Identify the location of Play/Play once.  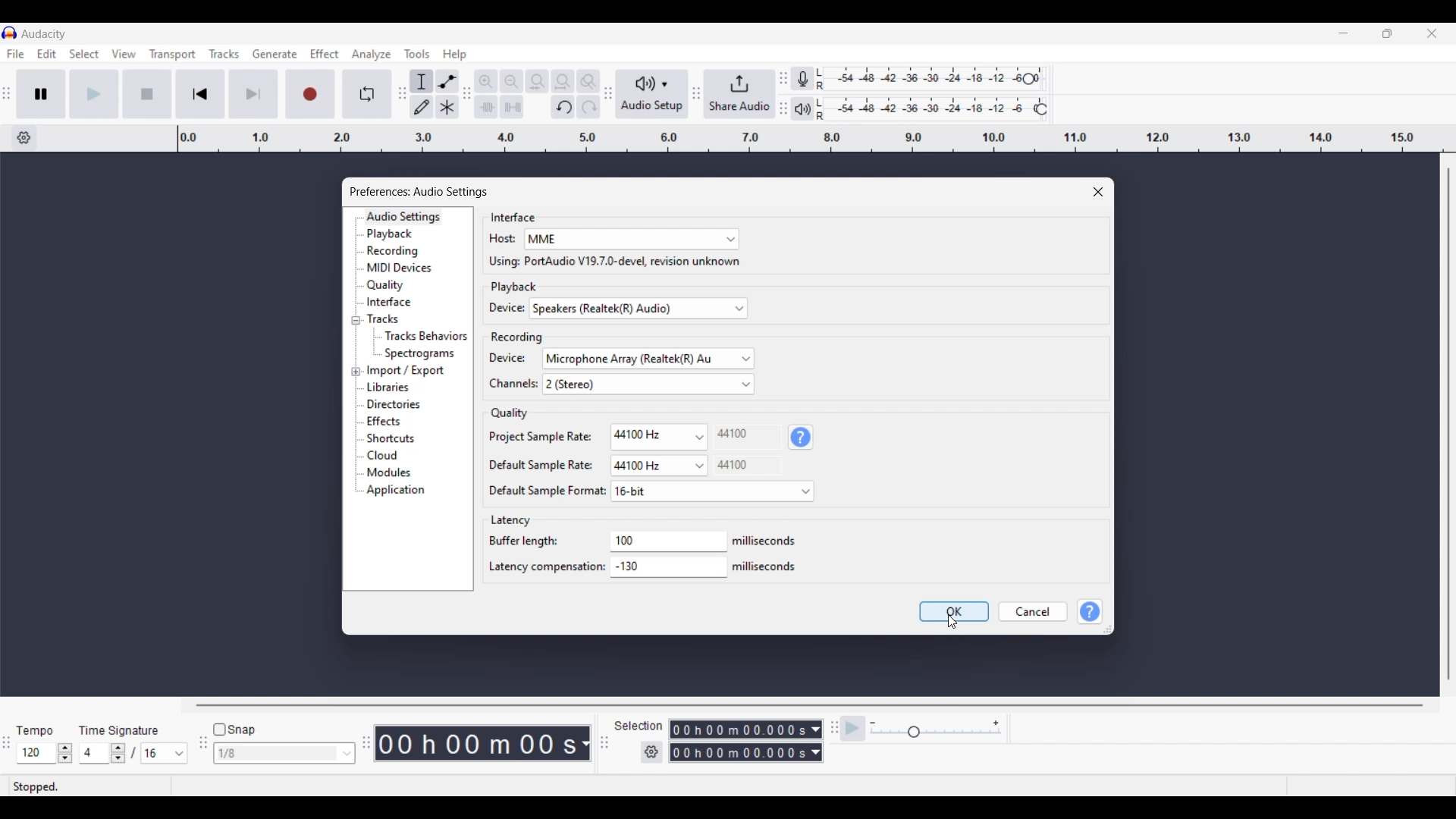
(94, 93).